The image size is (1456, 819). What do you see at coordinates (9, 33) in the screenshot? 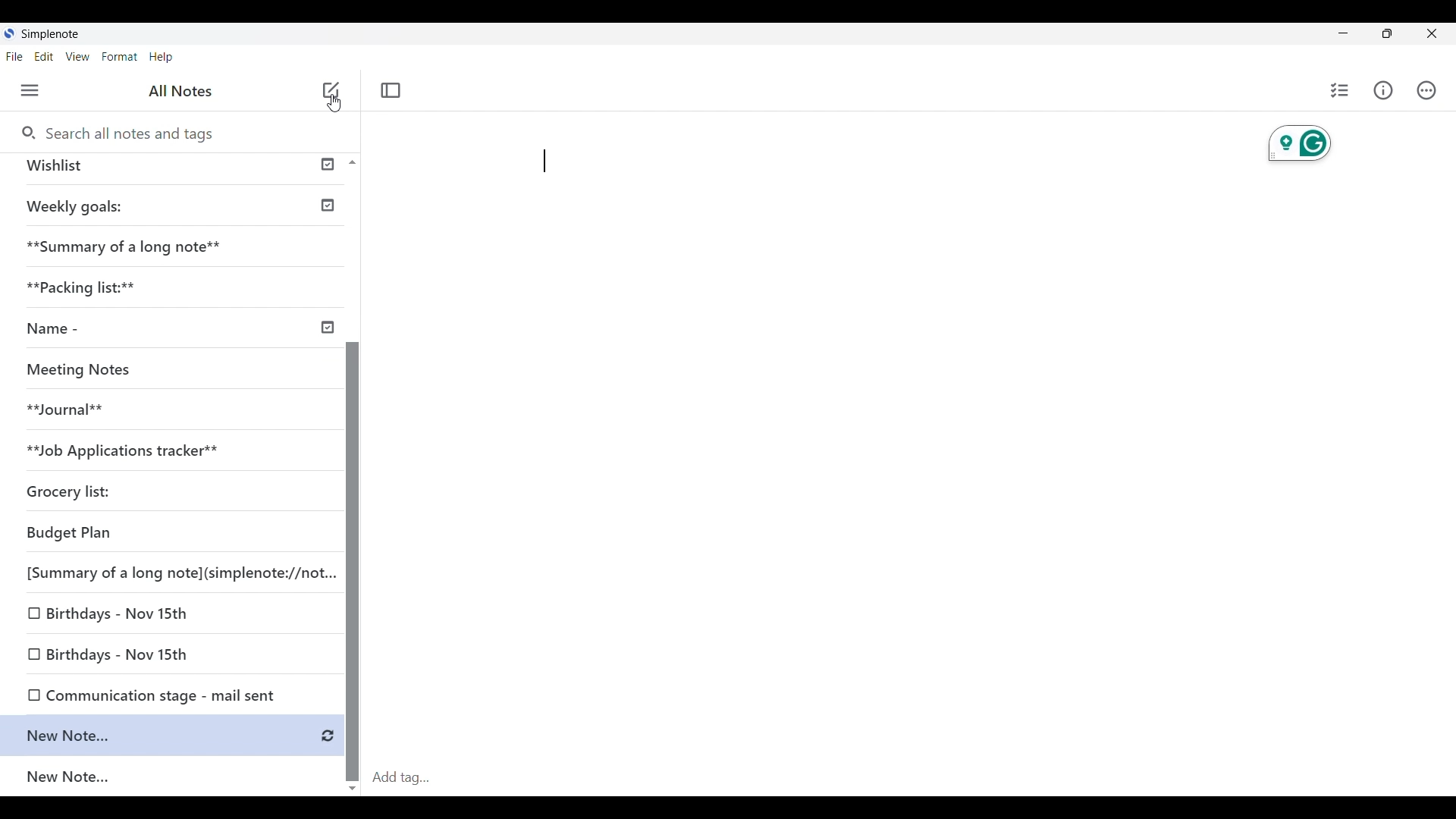
I see `Software logo` at bounding box center [9, 33].